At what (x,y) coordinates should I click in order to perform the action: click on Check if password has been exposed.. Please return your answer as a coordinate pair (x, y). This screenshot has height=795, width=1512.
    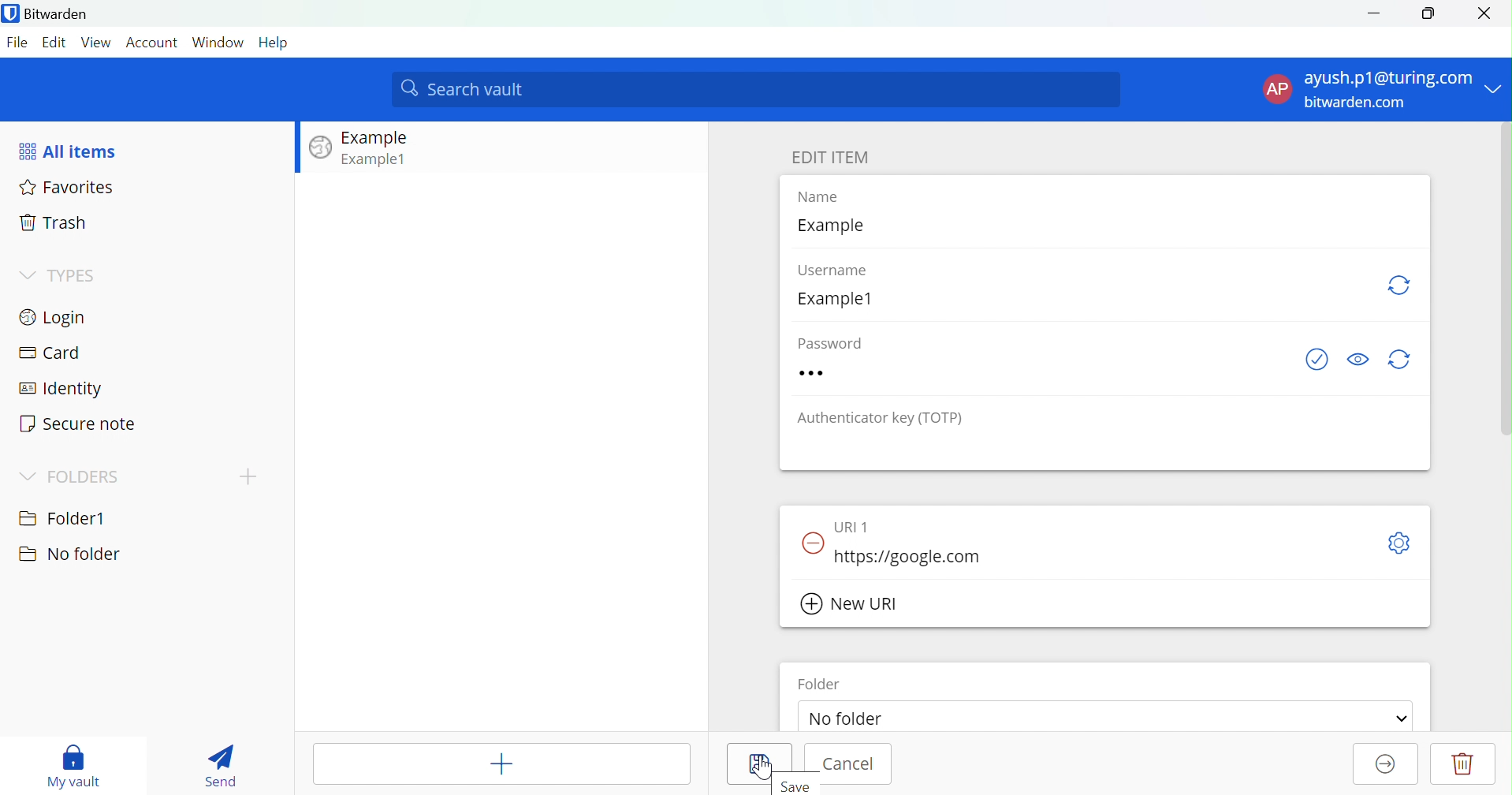
    Looking at the image, I should click on (1316, 360).